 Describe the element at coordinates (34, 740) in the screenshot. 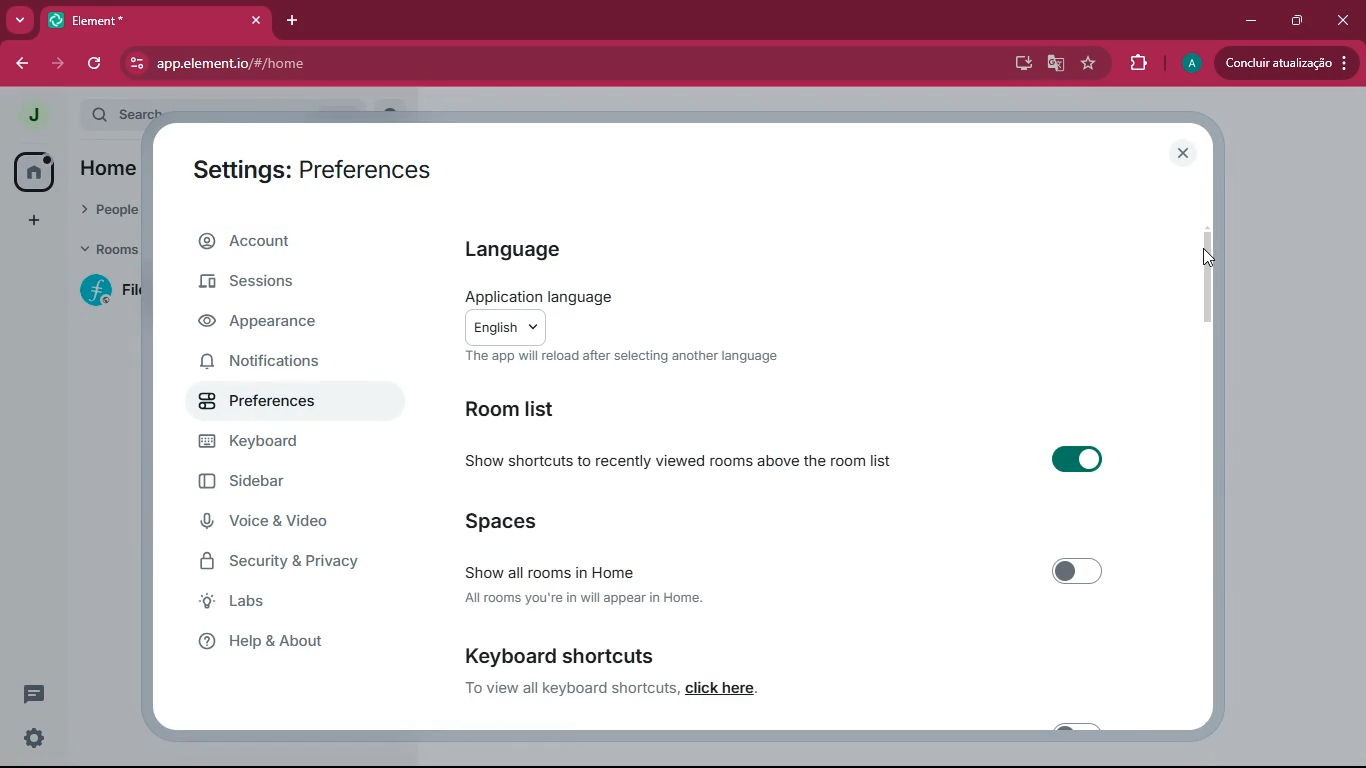

I see `settings` at that location.